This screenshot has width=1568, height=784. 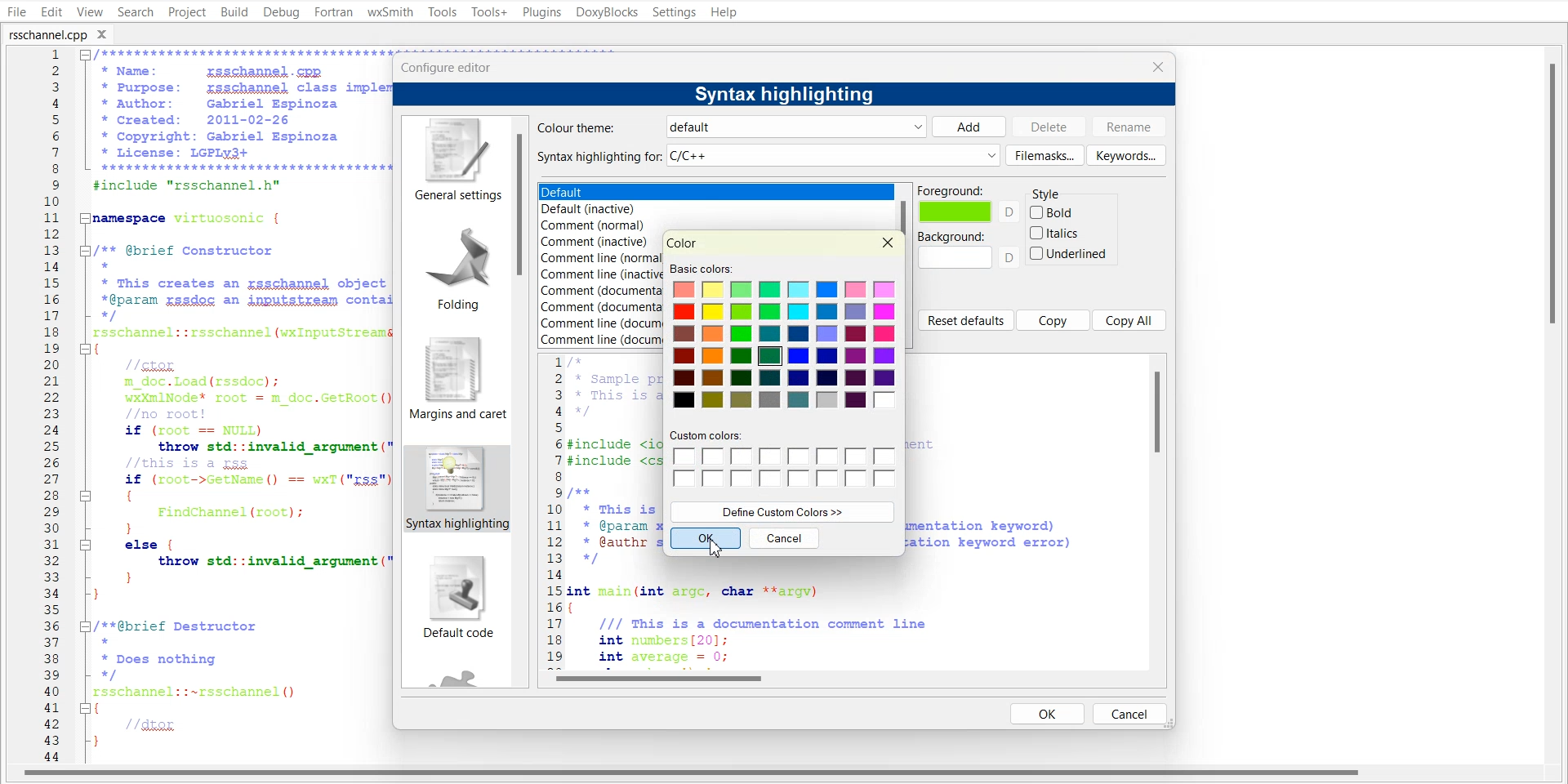 What do you see at coordinates (186, 11) in the screenshot?
I see `Project` at bounding box center [186, 11].